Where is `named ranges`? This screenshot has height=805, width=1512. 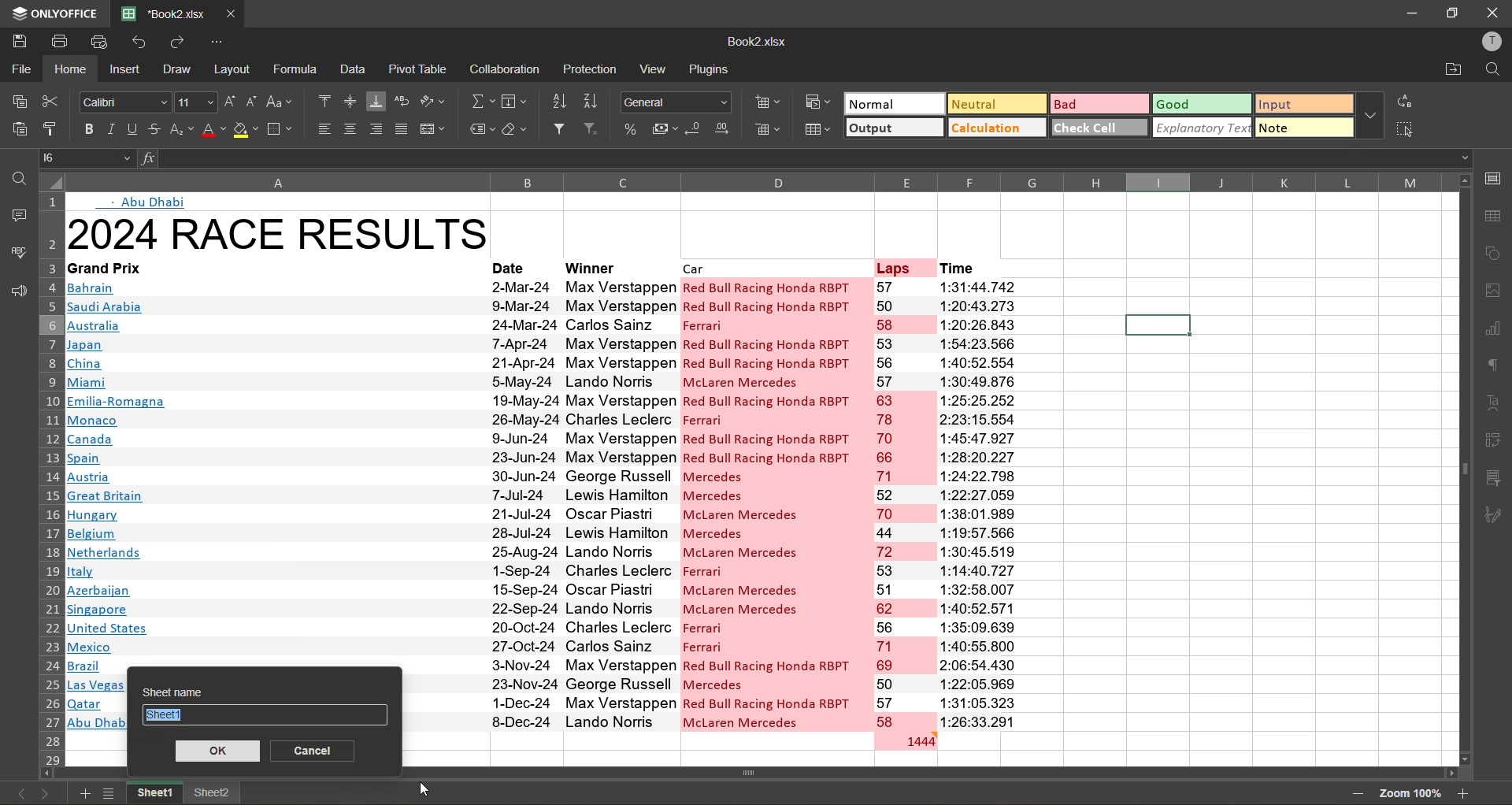 named ranges is located at coordinates (478, 132).